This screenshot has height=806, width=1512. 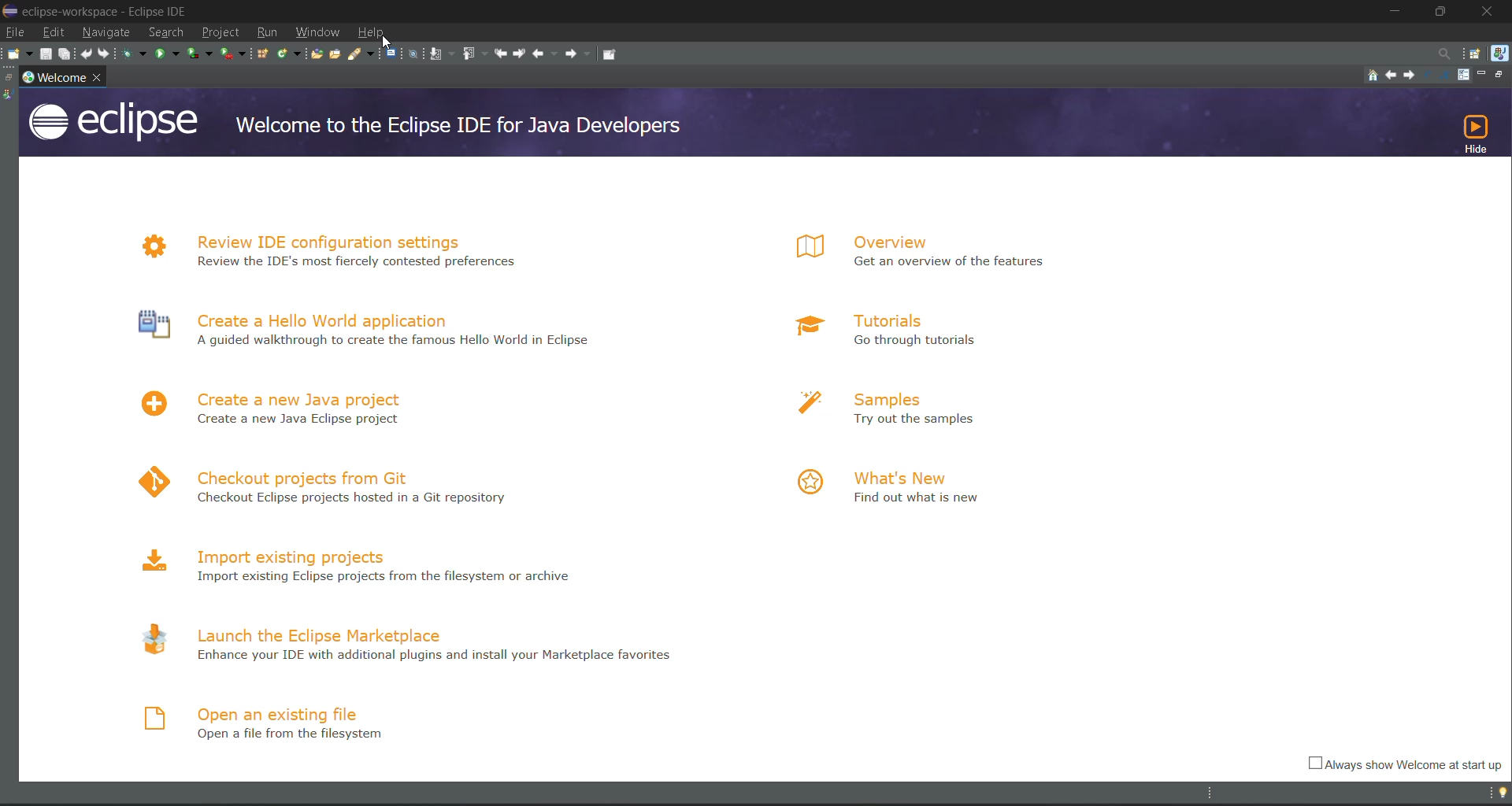 What do you see at coordinates (1373, 75) in the screenshot?
I see `home` at bounding box center [1373, 75].